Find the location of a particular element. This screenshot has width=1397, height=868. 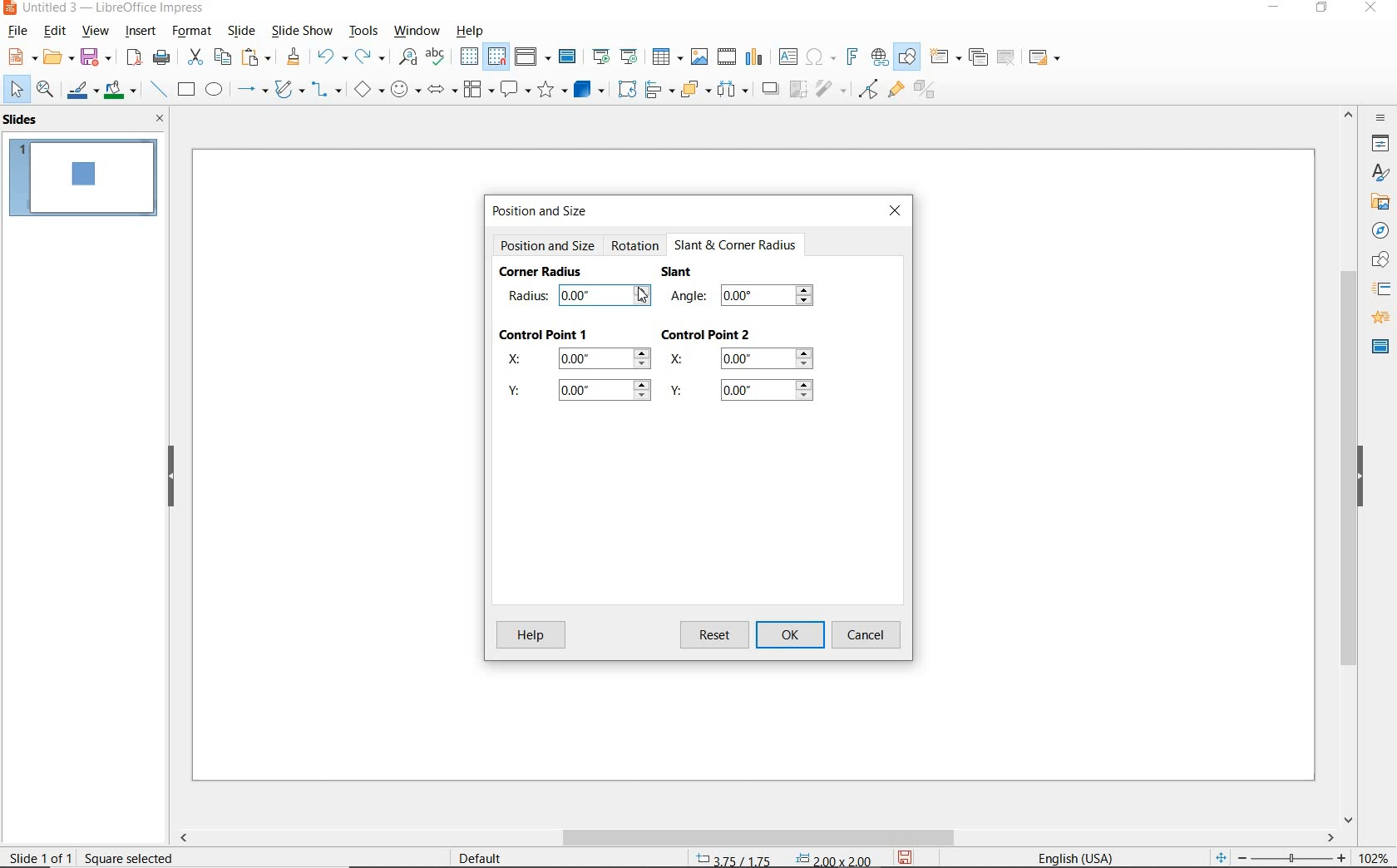

slides is located at coordinates (23, 121).